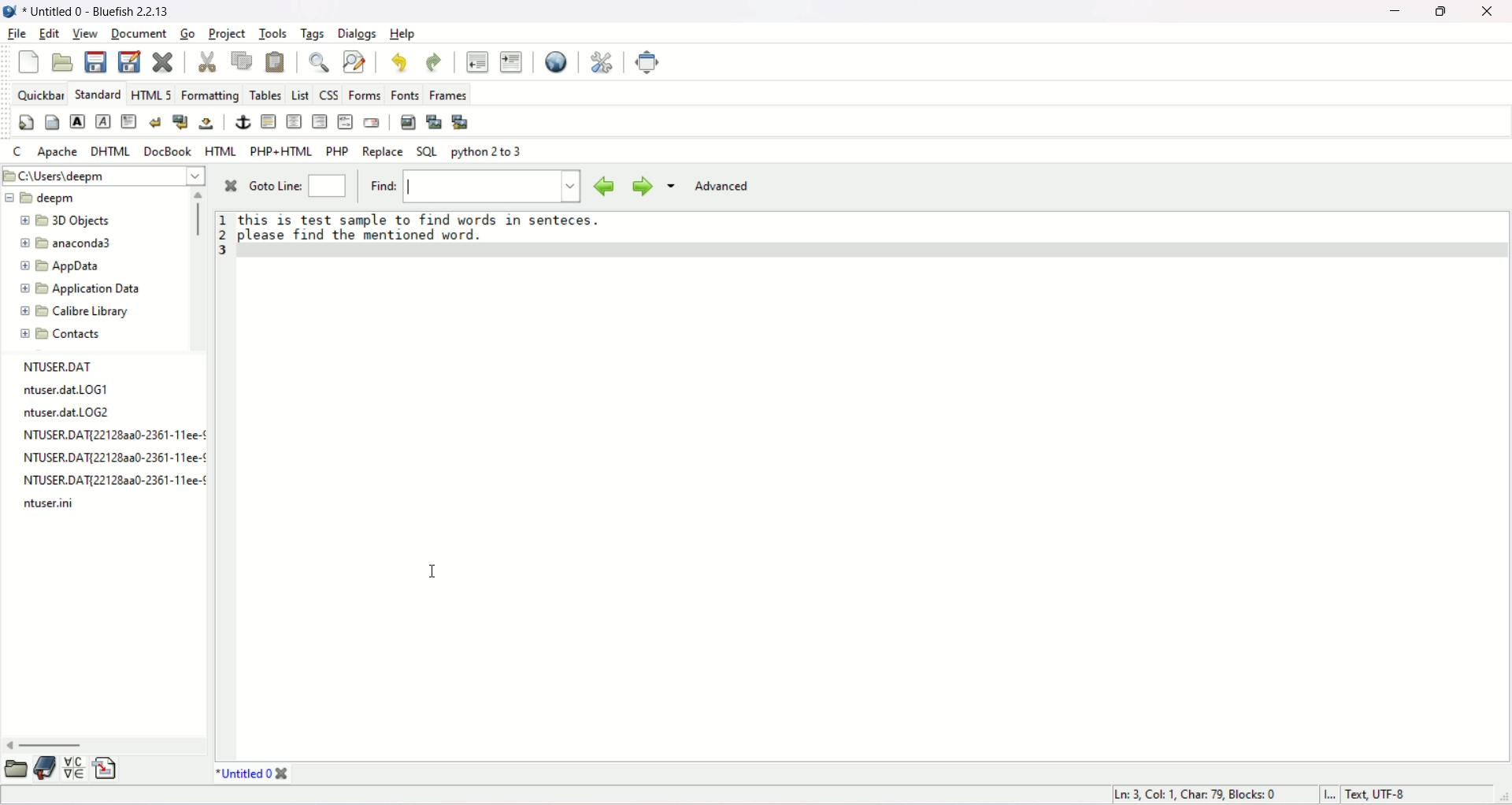  I want to click on insert image, so click(407, 121).